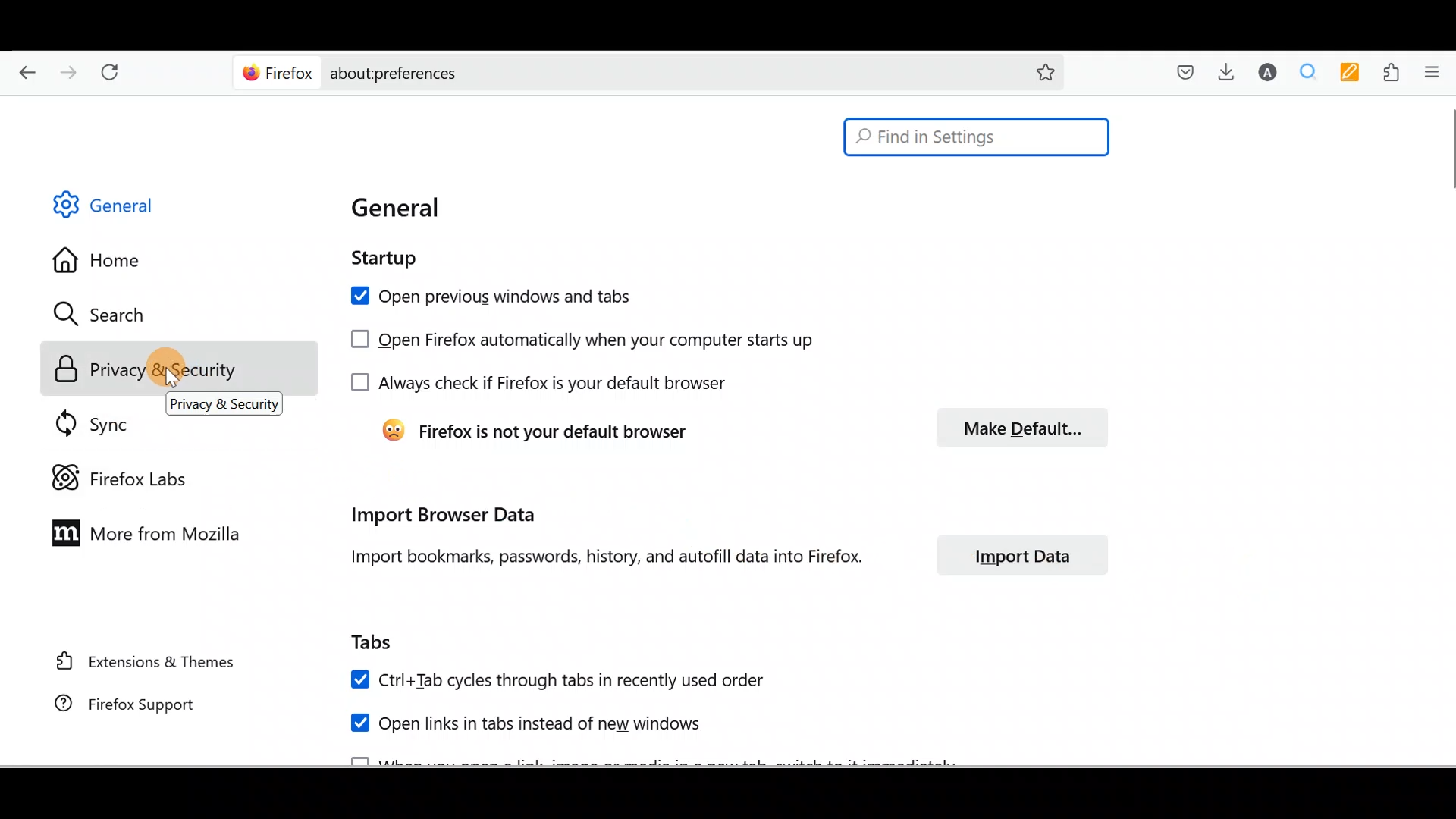 This screenshot has height=819, width=1456. What do you see at coordinates (558, 385) in the screenshot?
I see `Always check if Firefox is your default browser` at bounding box center [558, 385].